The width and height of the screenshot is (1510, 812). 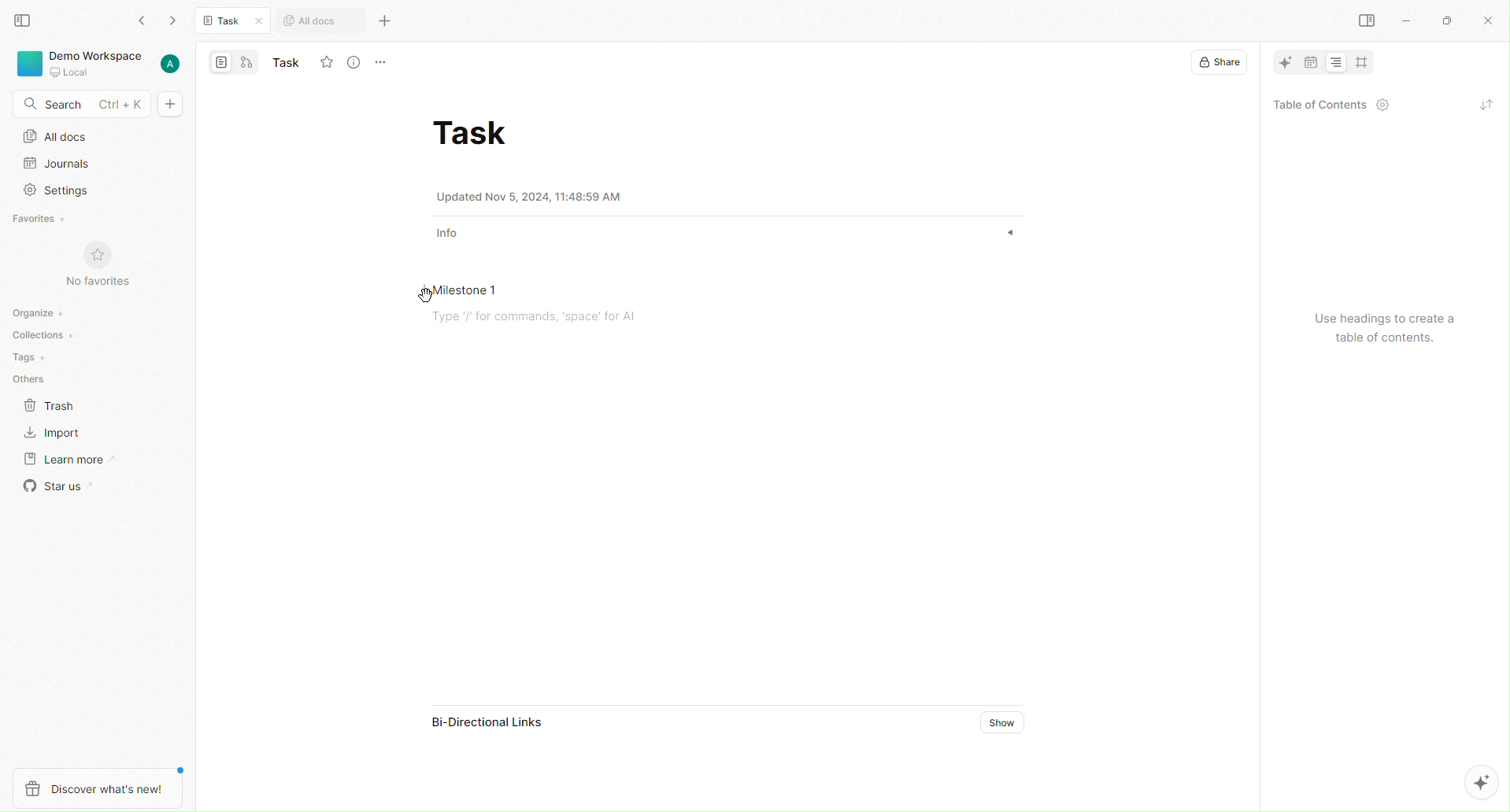 I want to click on Show, so click(x=992, y=722).